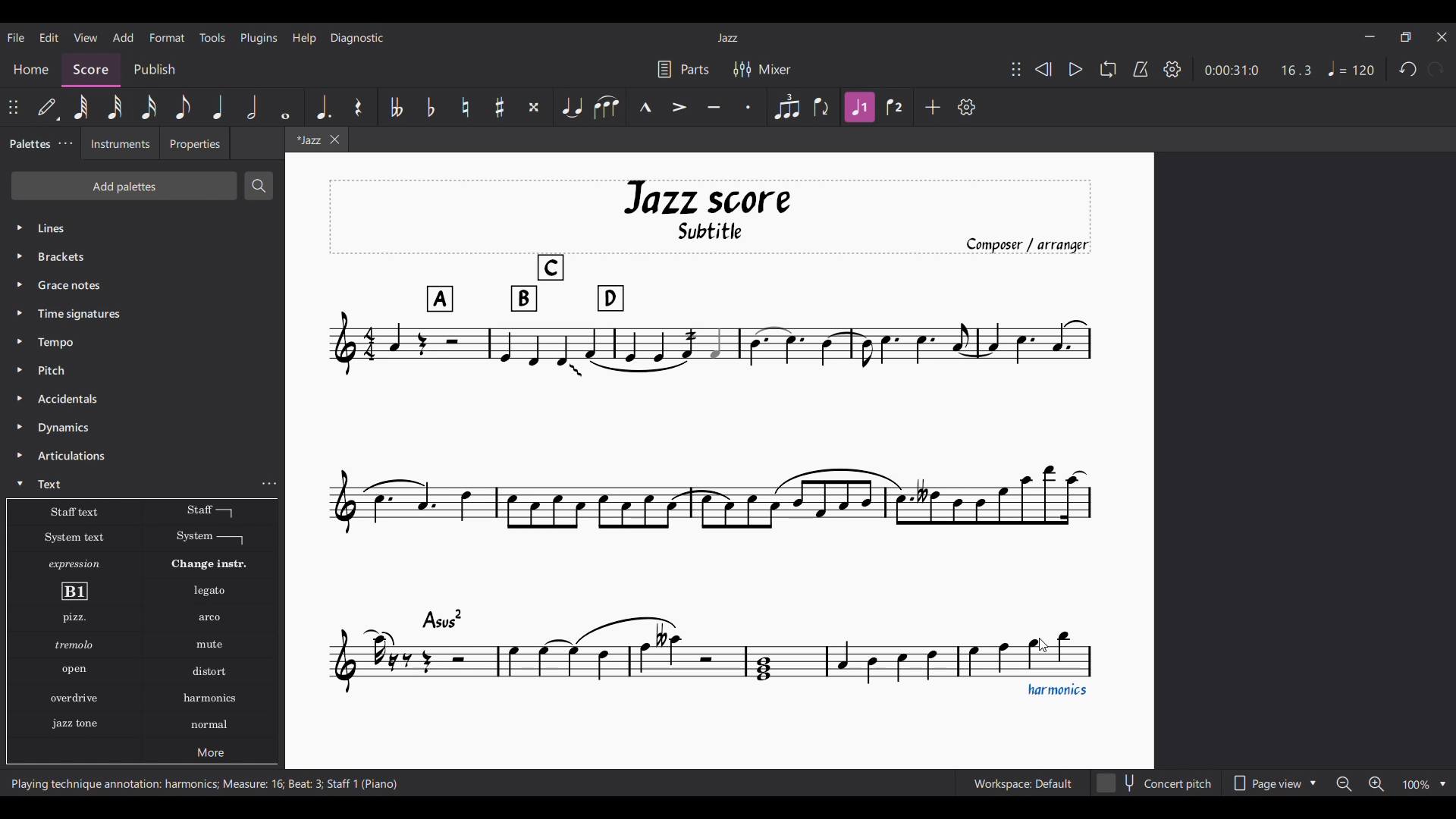  Describe the element at coordinates (357, 39) in the screenshot. I see `Diagnostic menu` at that location.